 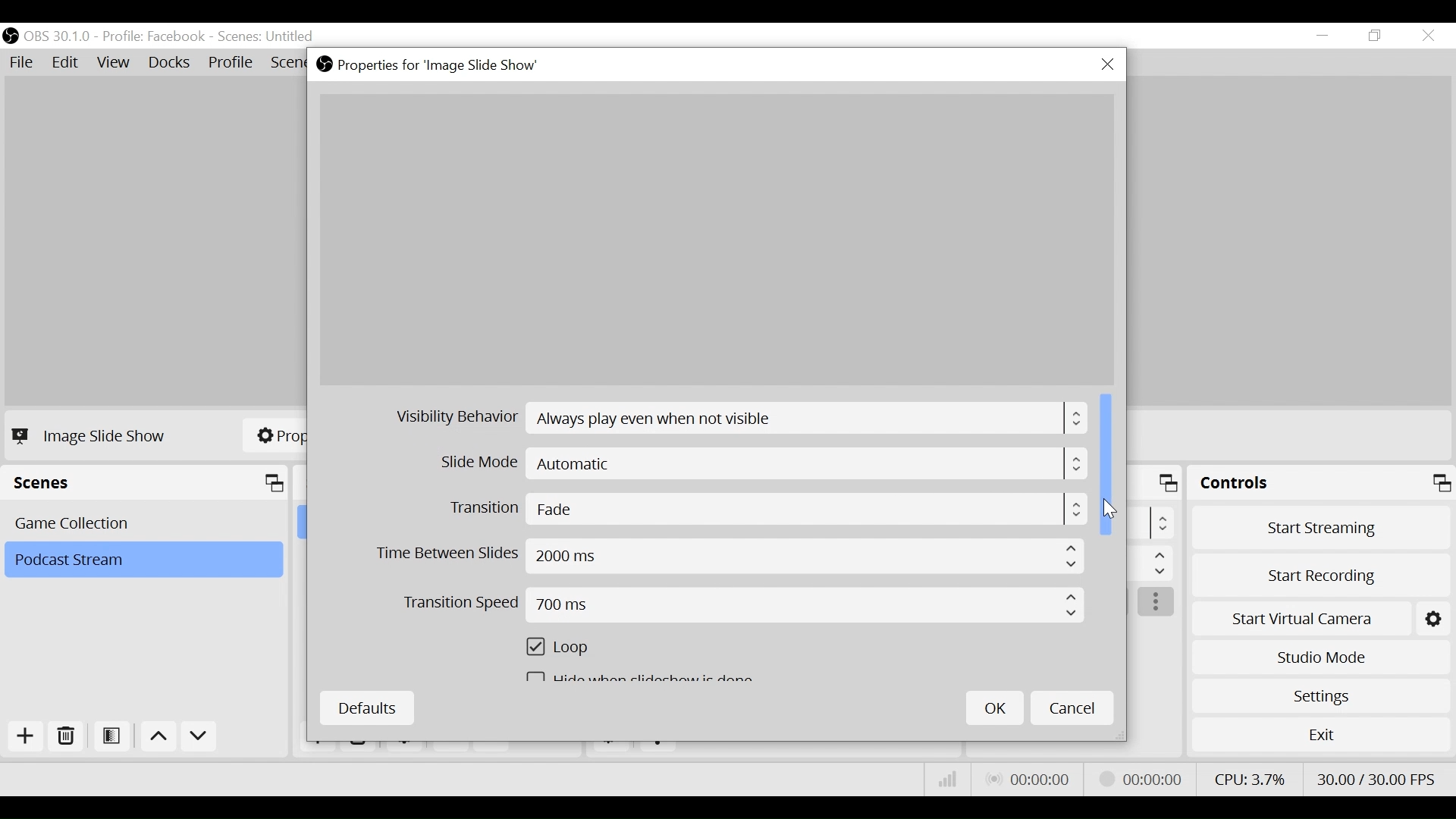 I want to click on minimize, so click(x=1326, y=36).